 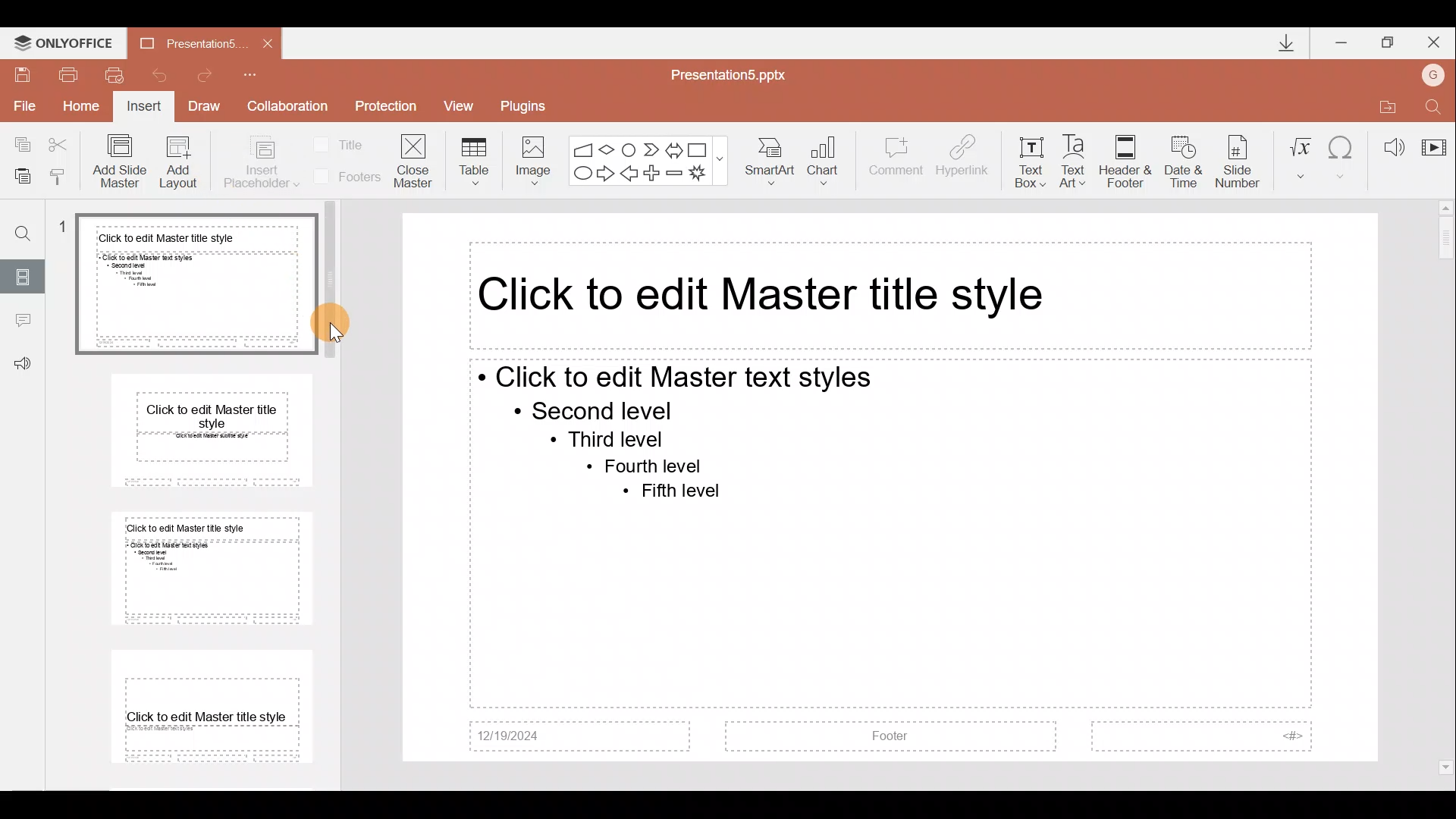 I want to click on Undo, so click(x=158, y=74).